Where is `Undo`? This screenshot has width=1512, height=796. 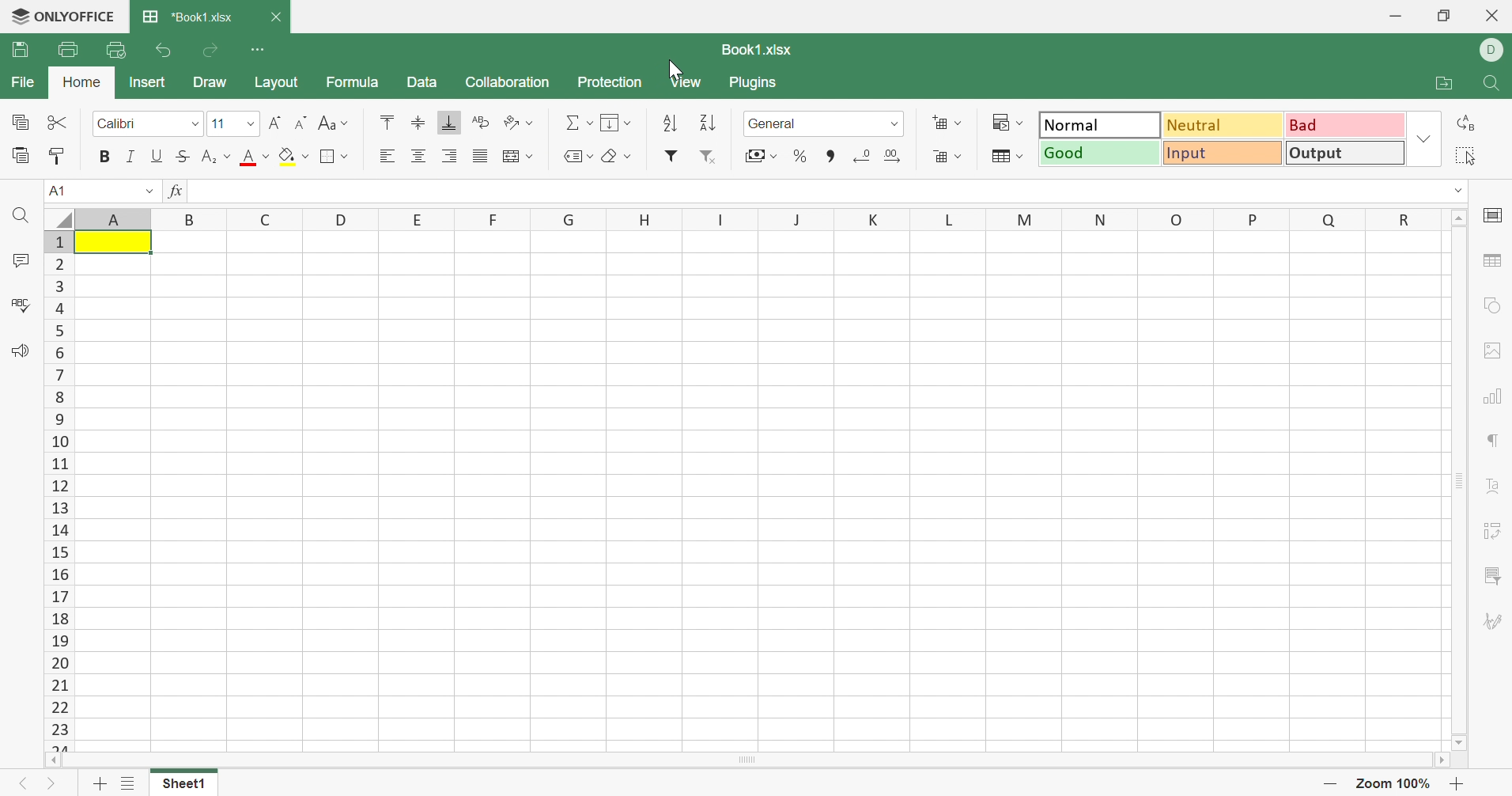
Undo is located at coordinates (165, 51).